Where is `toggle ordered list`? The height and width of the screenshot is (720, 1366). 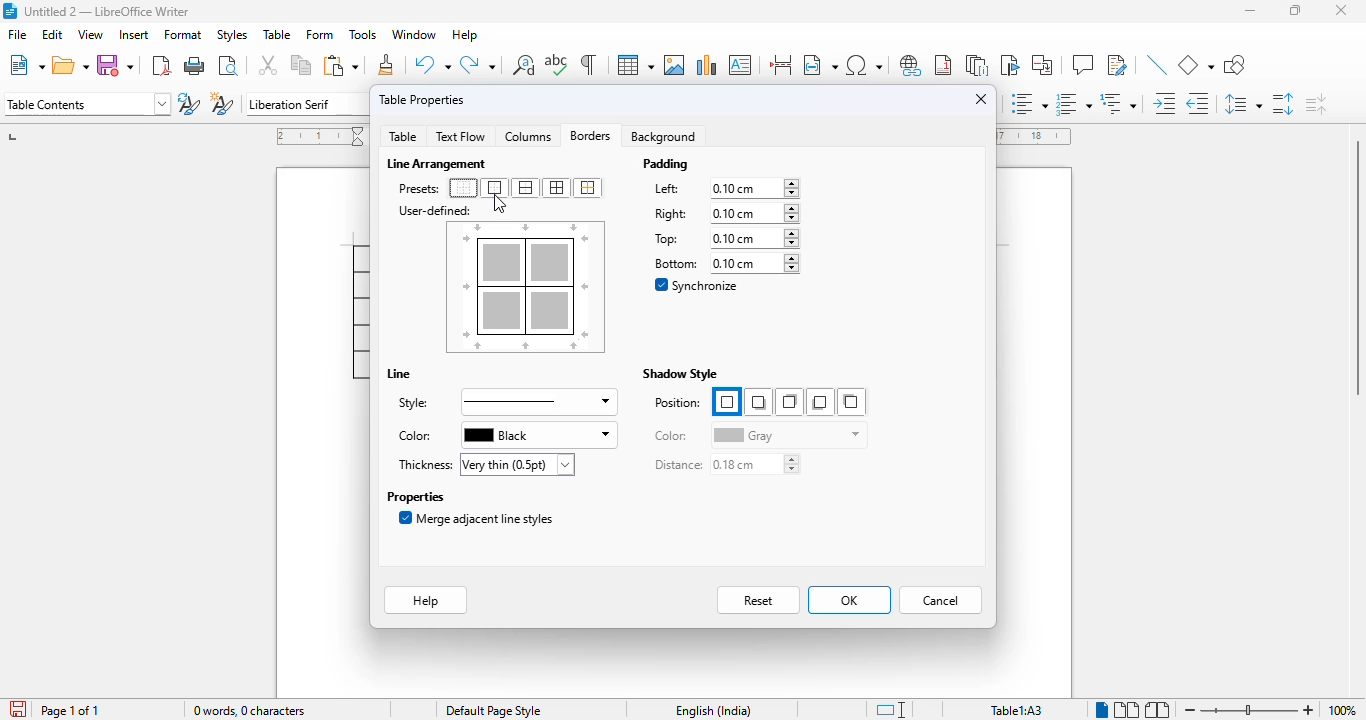
toggle ordered list is located at coordinates (1072, 103).